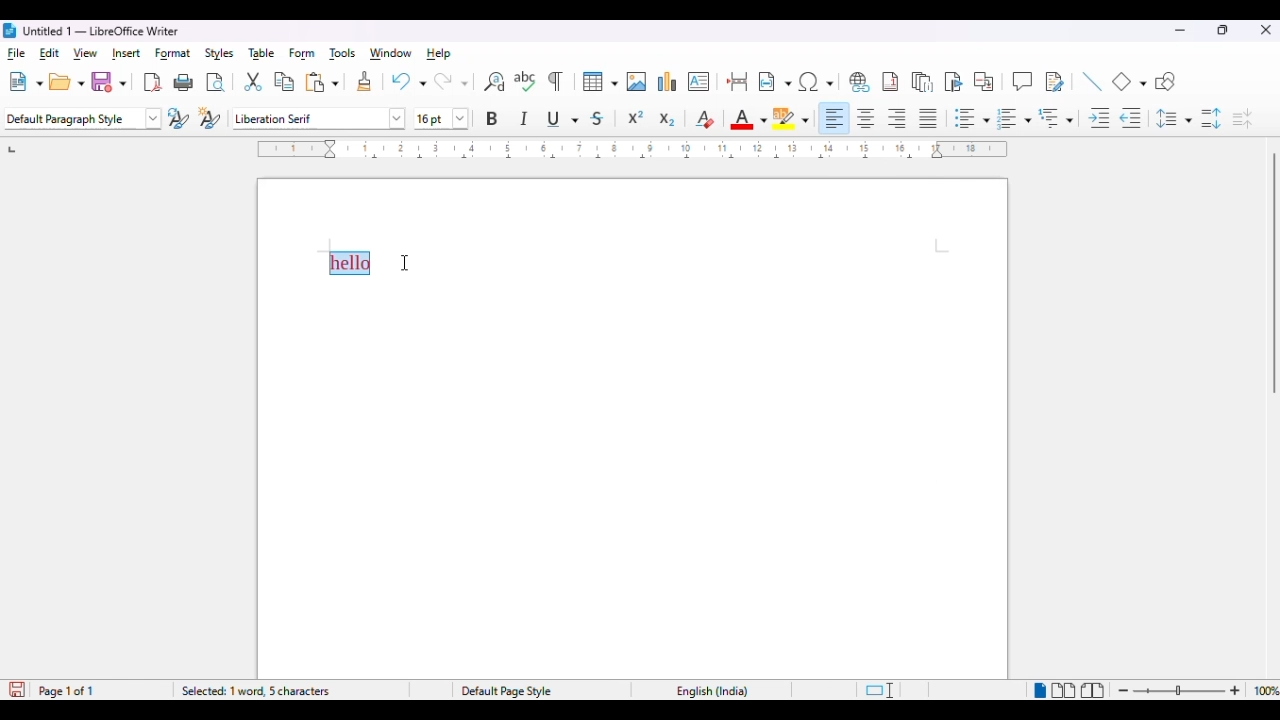 Image resolution: width=1280 pixels, height=720 pixels. What do you see at coordinates (866, 119) in the screenshot?
I see `align center` at bounding box center [866, 119].